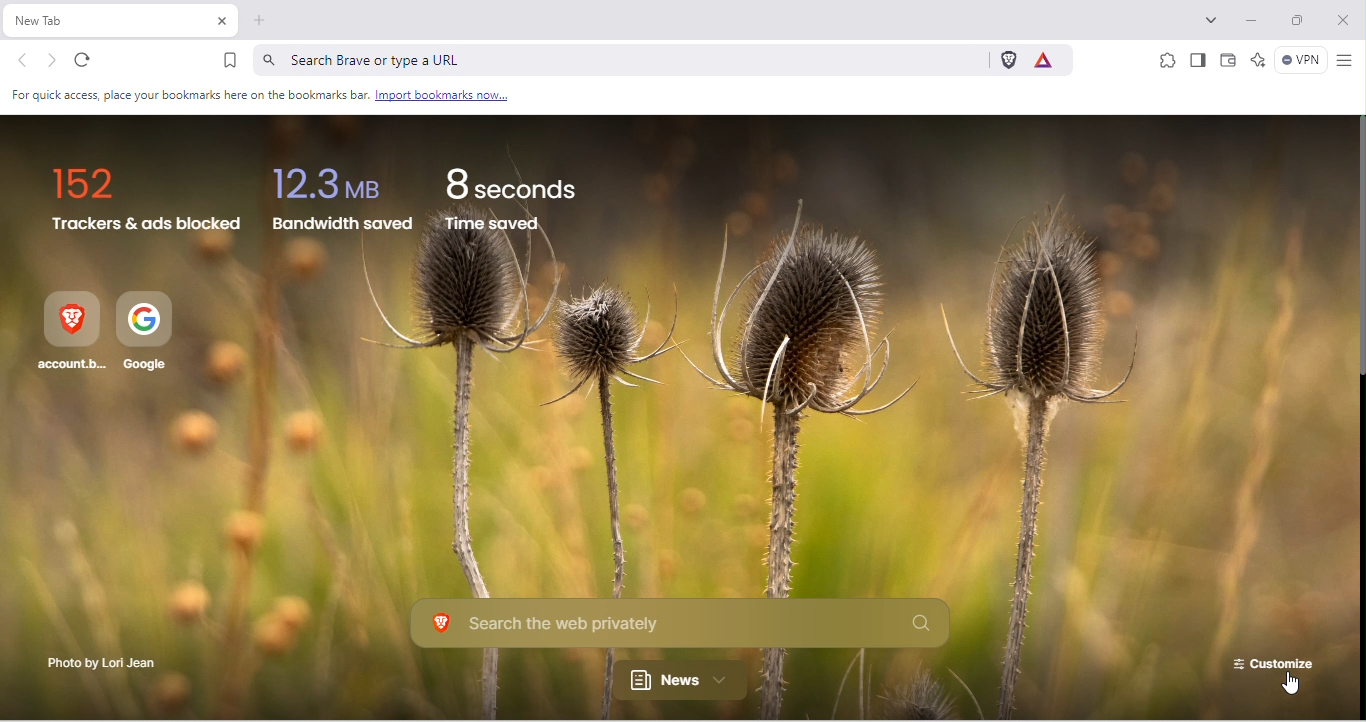 This screenshot has height=722, width=1366. I want to click on Click to go forward, so click(52, 60).